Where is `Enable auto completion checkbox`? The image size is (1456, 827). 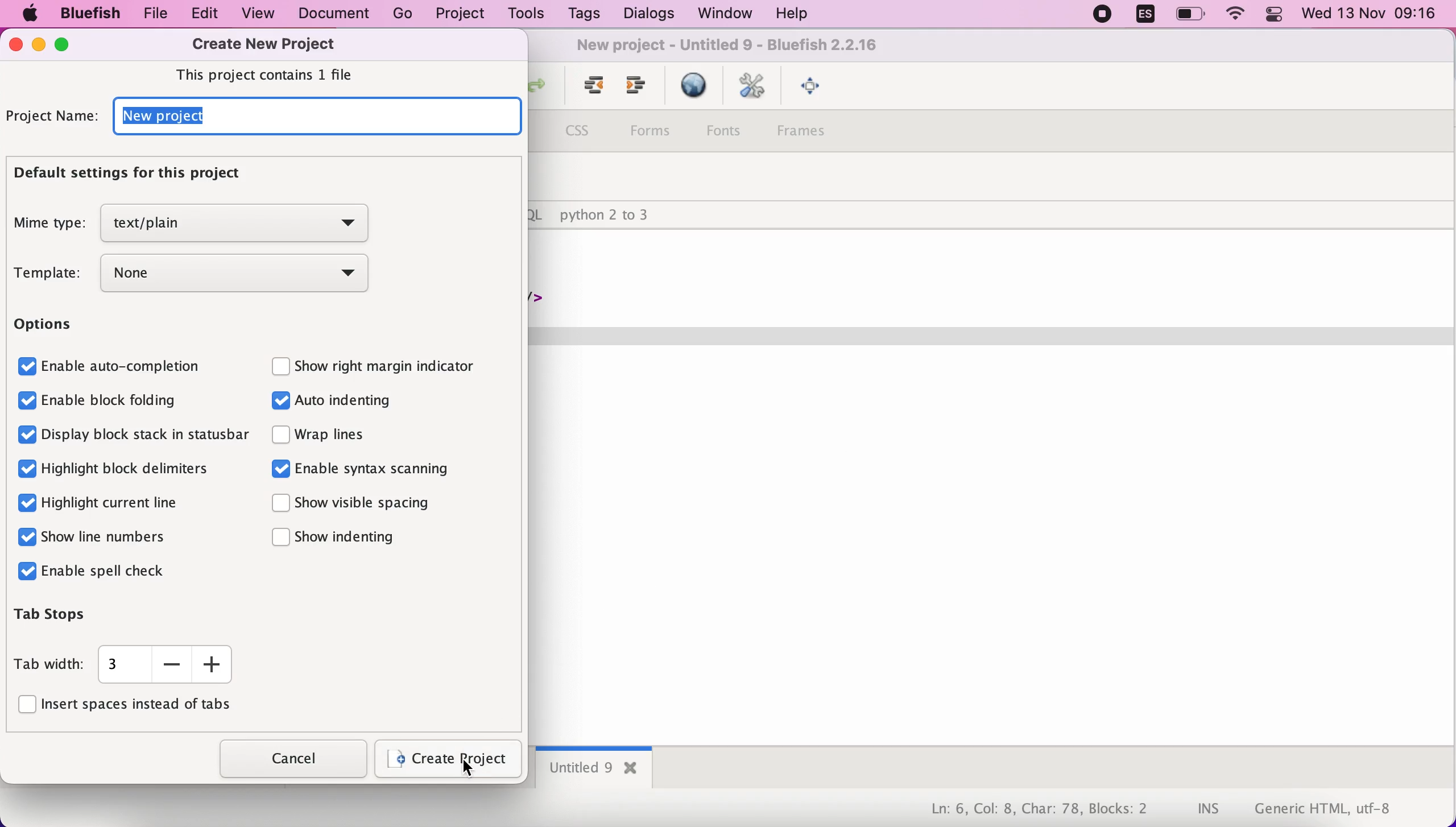
Enable auto completion checkbox is located at coordinates (113, 365).